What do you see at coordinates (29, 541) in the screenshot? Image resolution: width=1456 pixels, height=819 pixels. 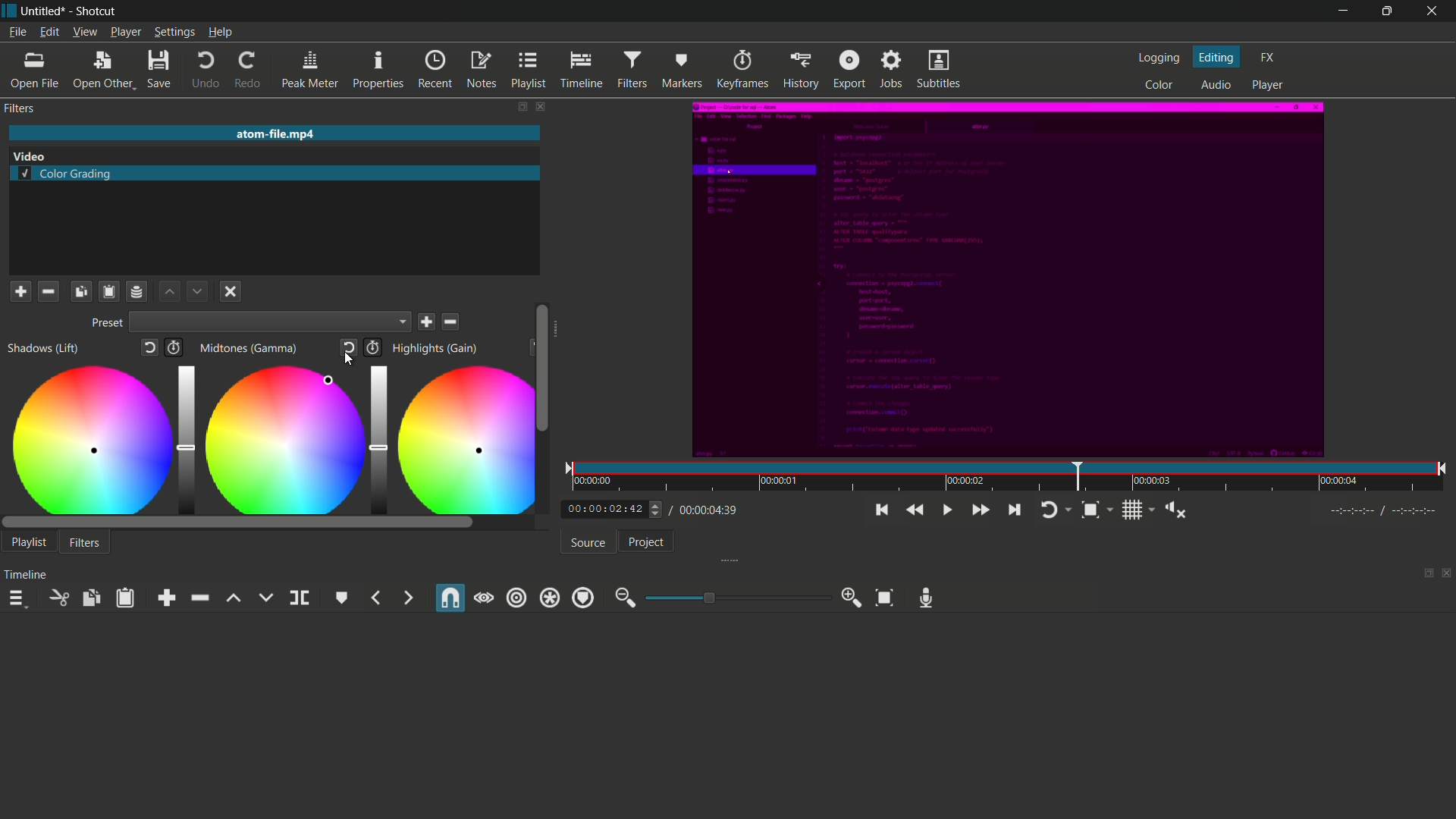 I see `playlist` at bounding box center [29, 541].